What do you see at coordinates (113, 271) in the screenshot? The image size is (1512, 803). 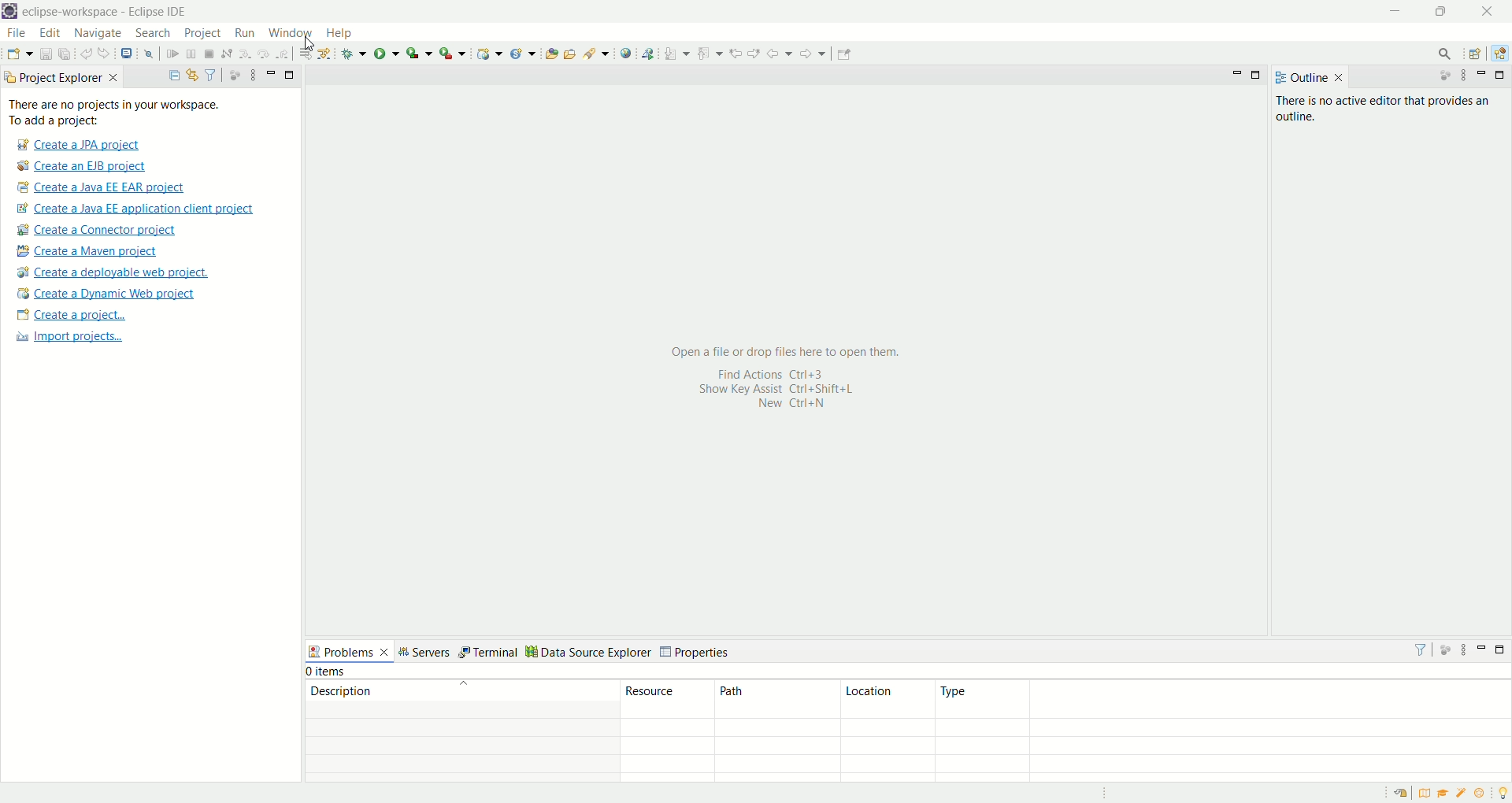 I see `create a deployable web project` at bounding box center [113, 271].